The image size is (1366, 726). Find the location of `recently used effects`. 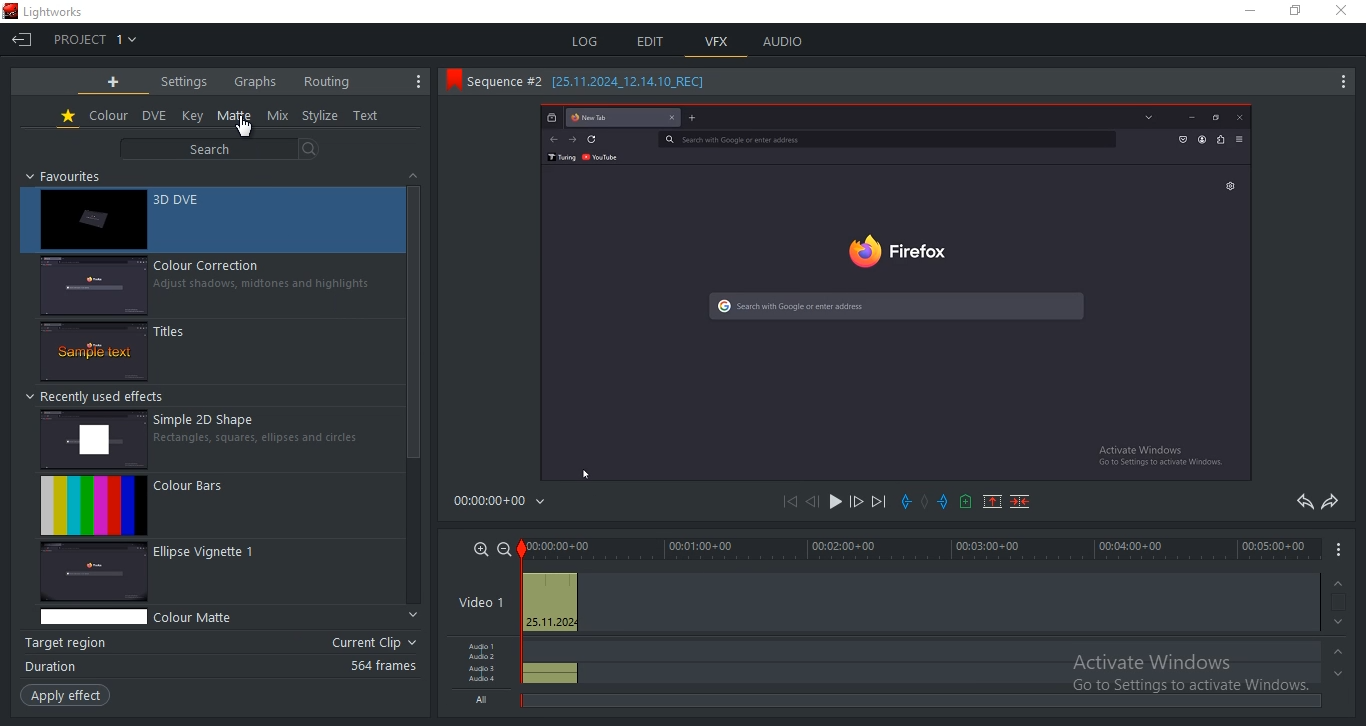

recently used effects is located at coordinates (99, 396).